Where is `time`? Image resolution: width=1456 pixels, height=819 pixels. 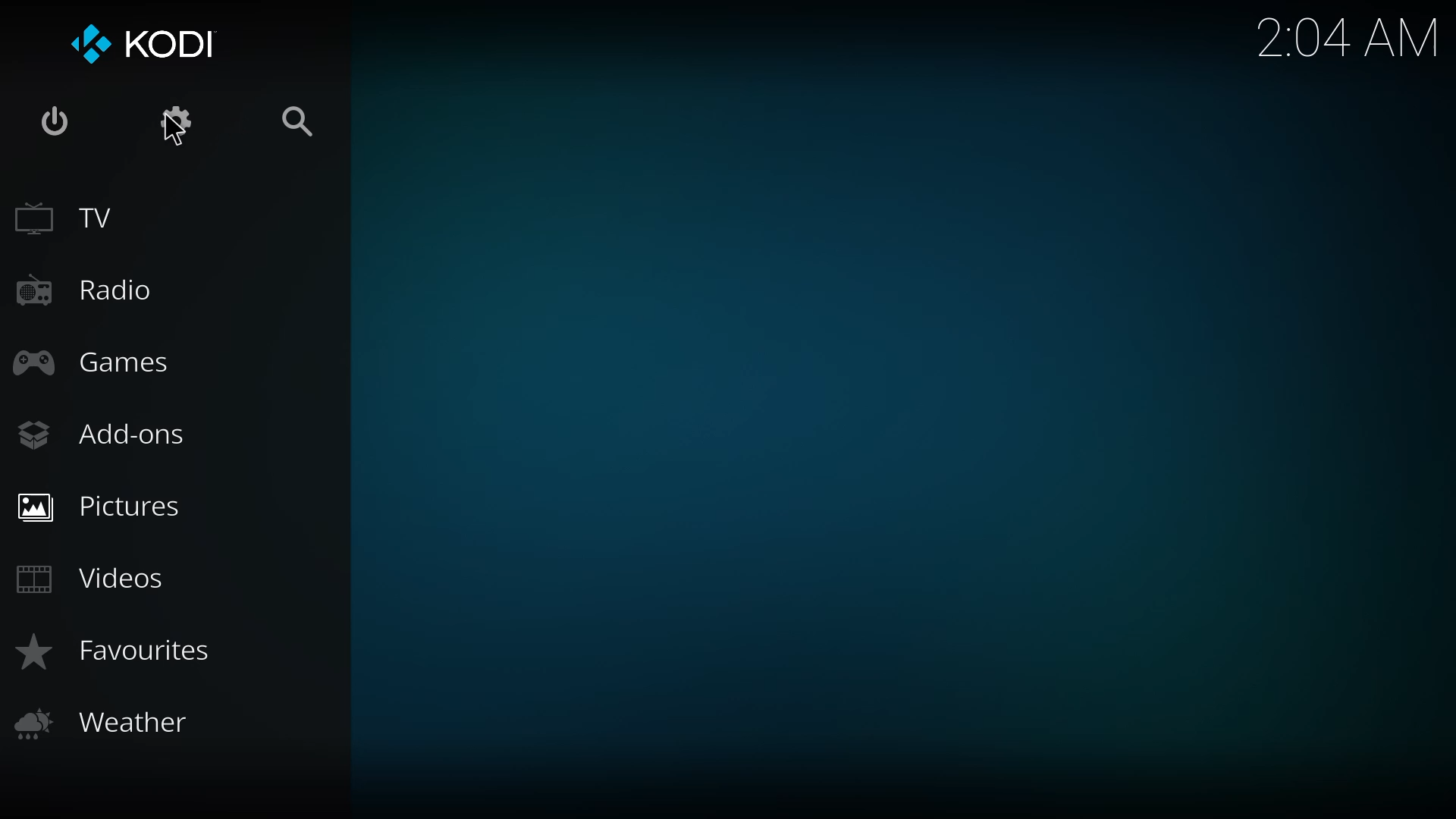
time is located at coordinates (1348, 38).